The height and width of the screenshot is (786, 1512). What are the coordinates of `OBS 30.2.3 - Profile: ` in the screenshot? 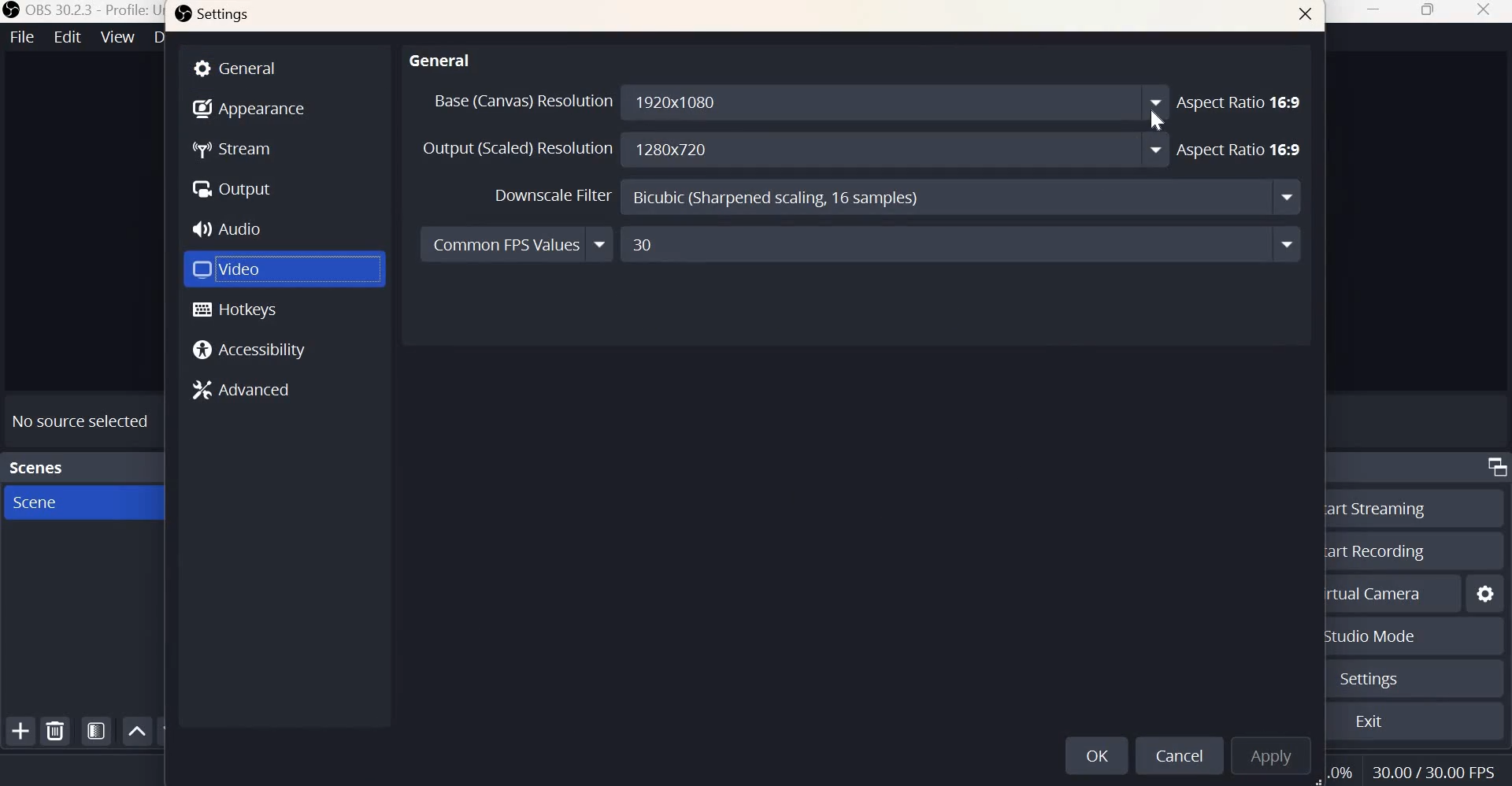 It's located at (76, 10).